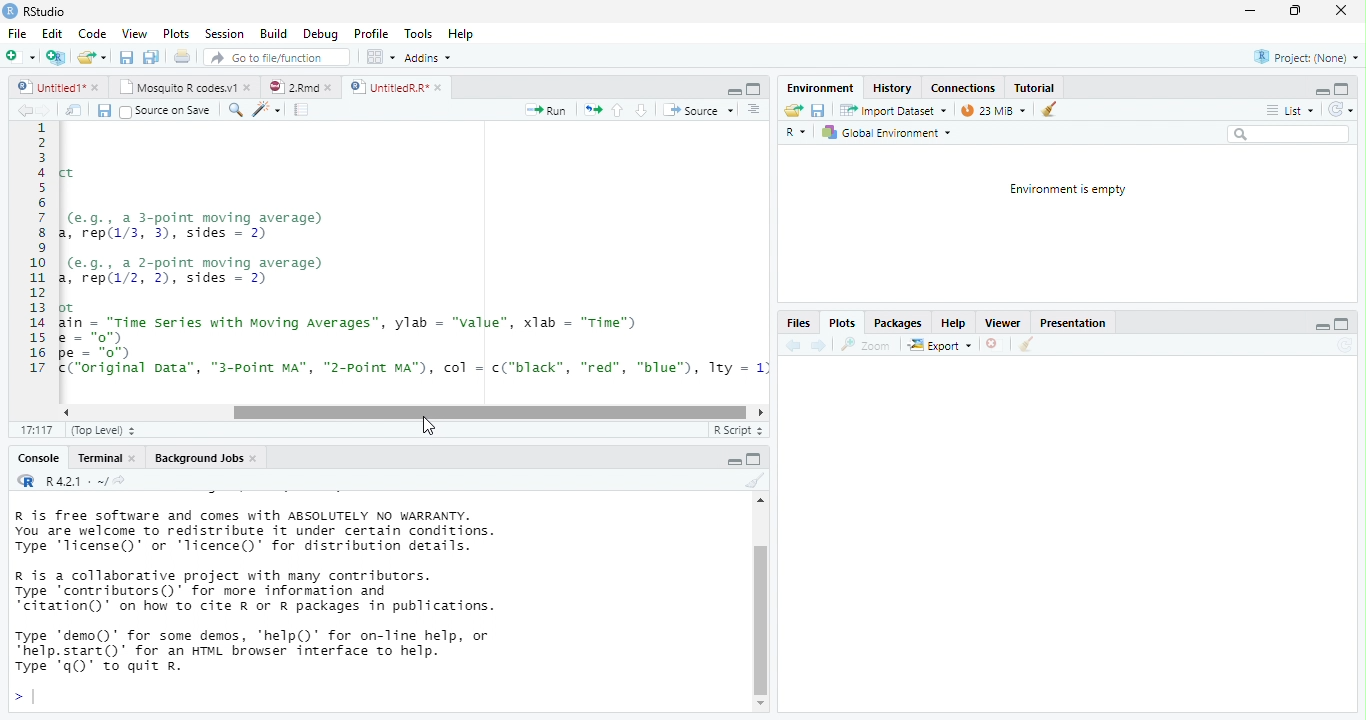  What do you see at coordinates (819, 345) in the screenshot?
I see `next` at bounding box center [819, 345].